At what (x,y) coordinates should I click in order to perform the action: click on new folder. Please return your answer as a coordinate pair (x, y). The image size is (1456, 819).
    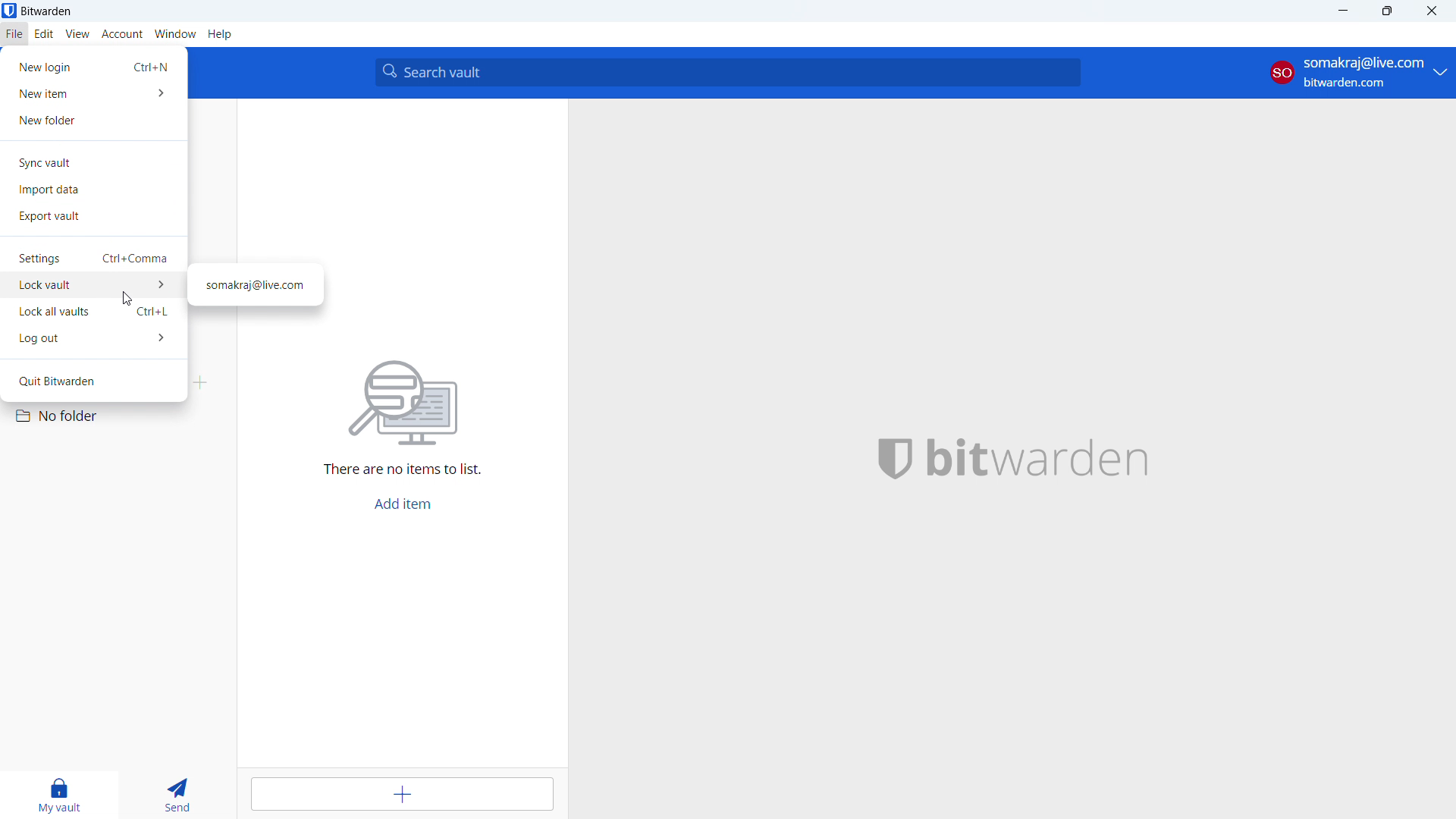
    Looking at the image, I should click on (96, 121).